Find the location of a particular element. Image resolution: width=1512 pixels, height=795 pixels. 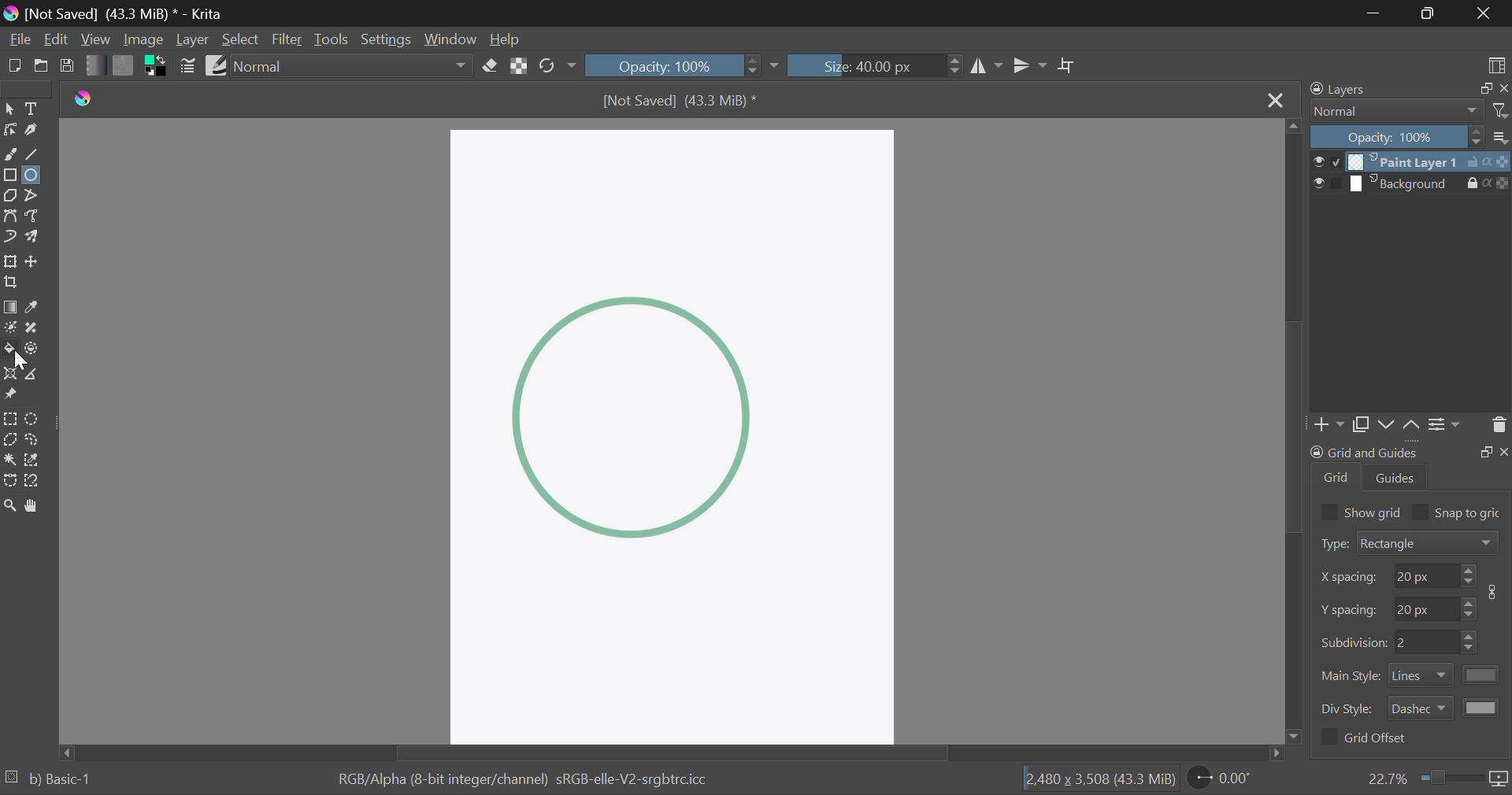

Smart Patch Tool is located at coordinates (32, 328).